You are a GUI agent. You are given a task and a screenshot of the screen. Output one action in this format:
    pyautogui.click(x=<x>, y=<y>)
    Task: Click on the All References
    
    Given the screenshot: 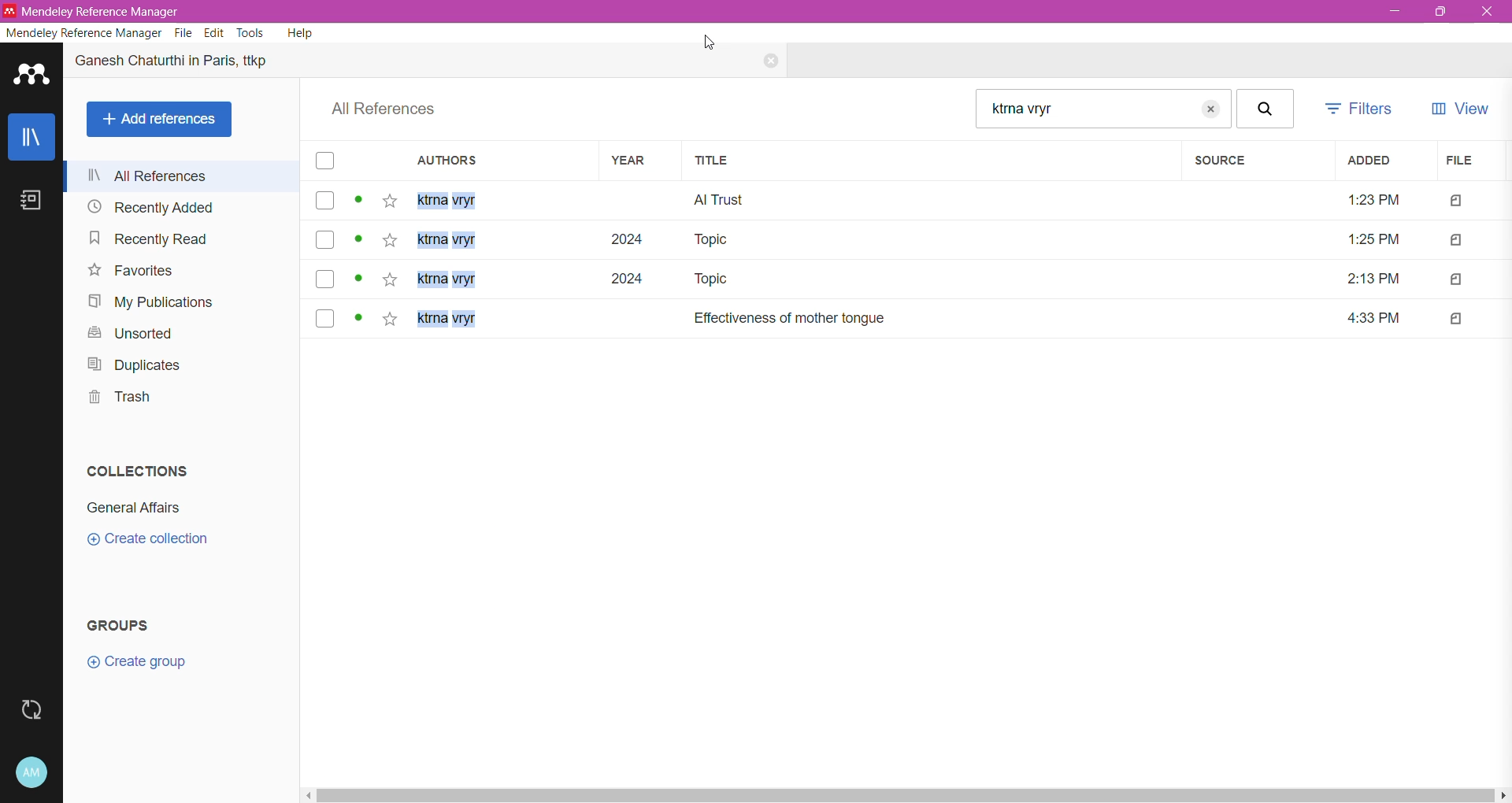 What is the action you would take?
    pyautogui.click(x=185, y=176)
    